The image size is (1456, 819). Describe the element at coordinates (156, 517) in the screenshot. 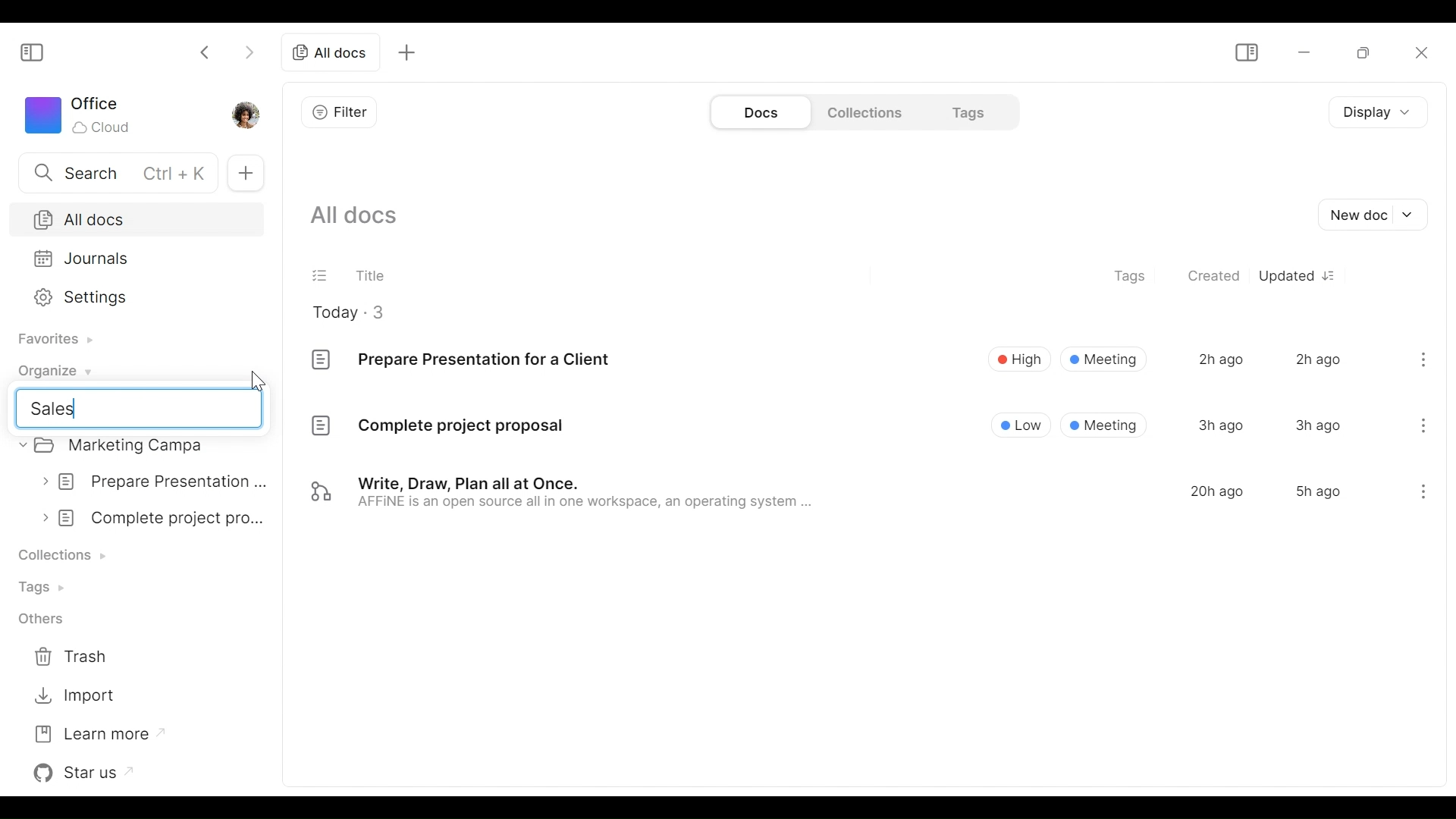

I see `complete project` at that location.